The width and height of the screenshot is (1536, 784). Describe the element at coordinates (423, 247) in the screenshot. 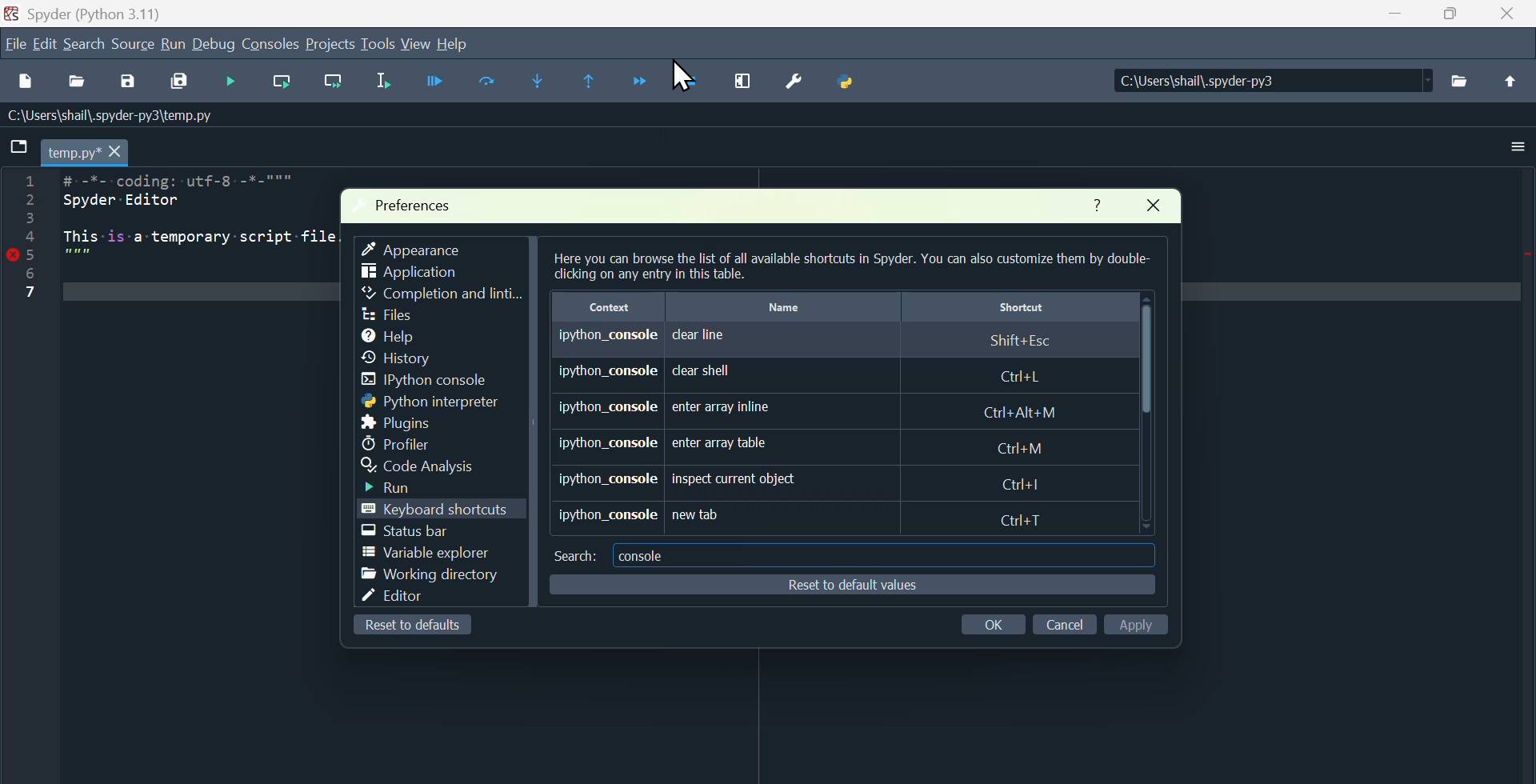

I see `Appearance` at that location.